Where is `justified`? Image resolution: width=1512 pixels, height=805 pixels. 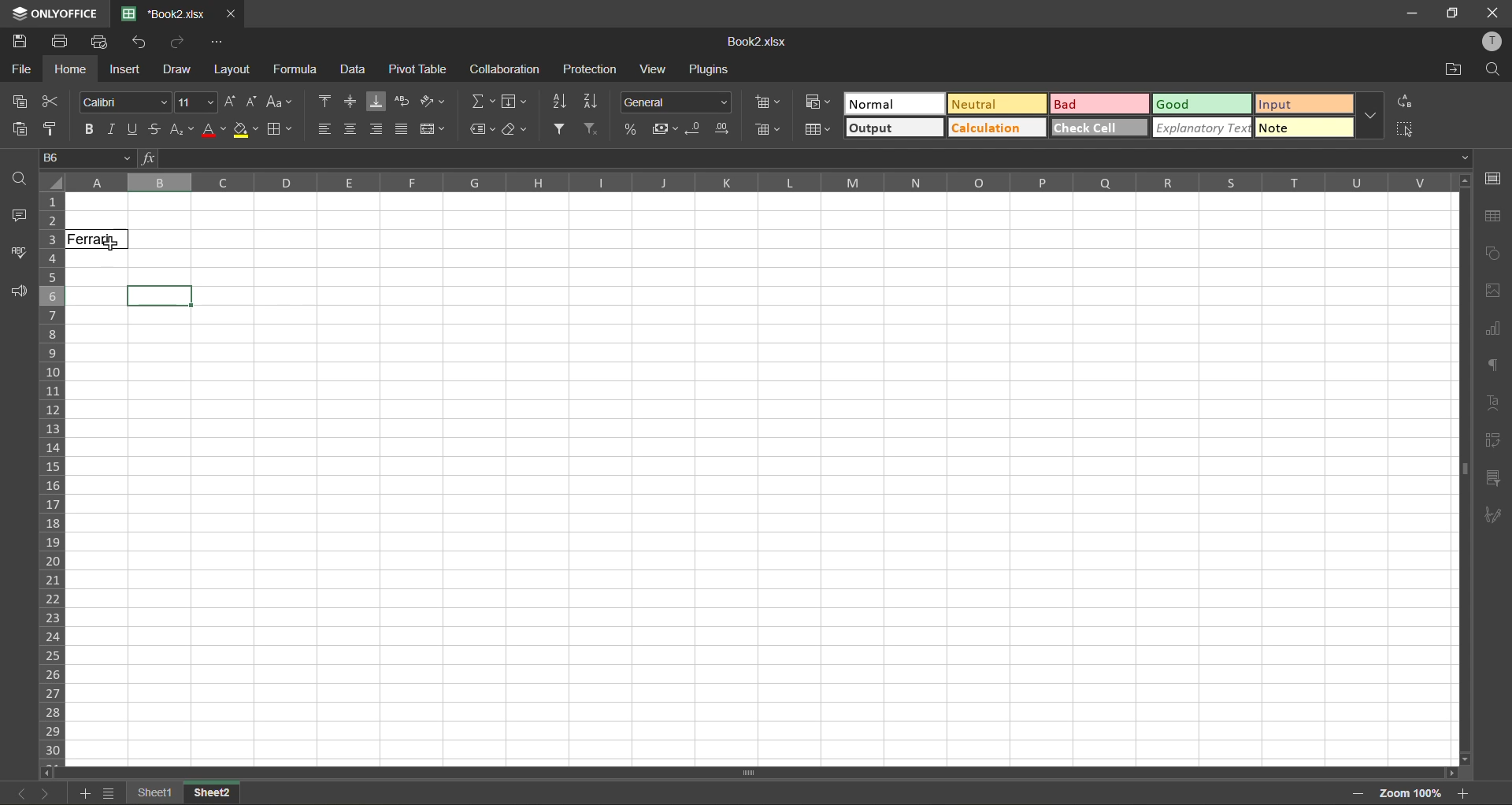
justified is located at coordinates (401, 128).